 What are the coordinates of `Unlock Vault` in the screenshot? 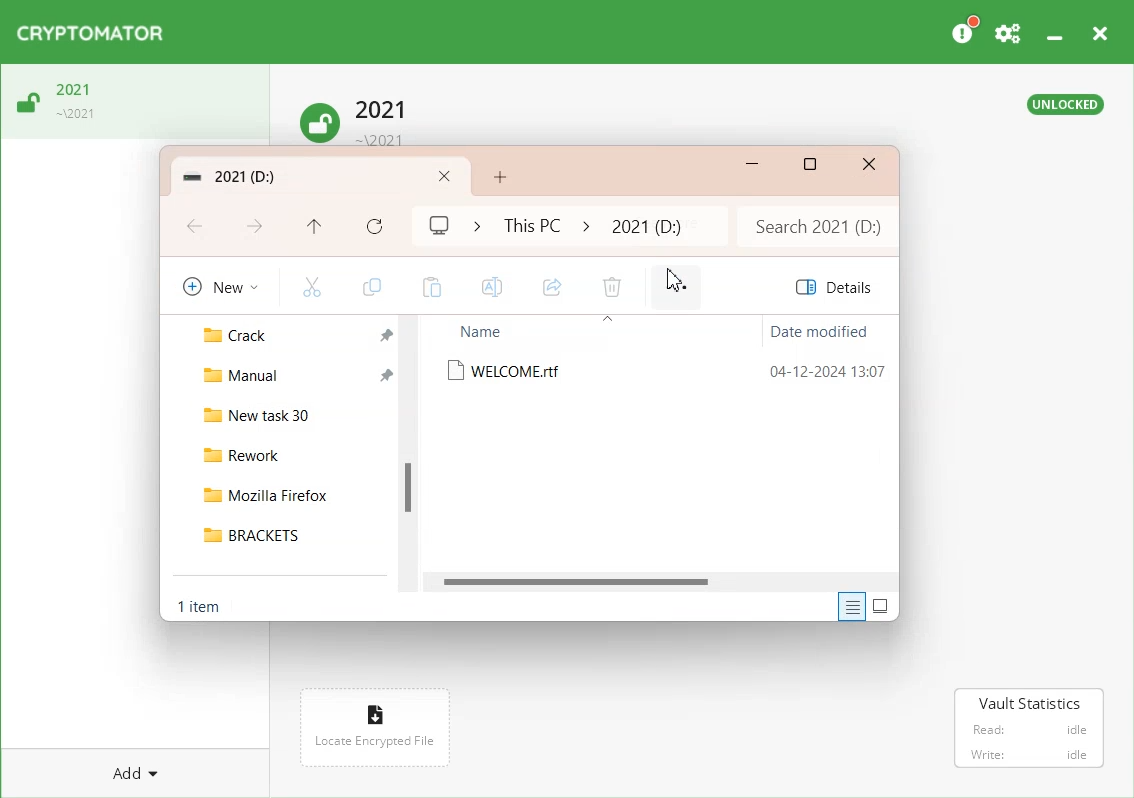 It's located at (354, 119).